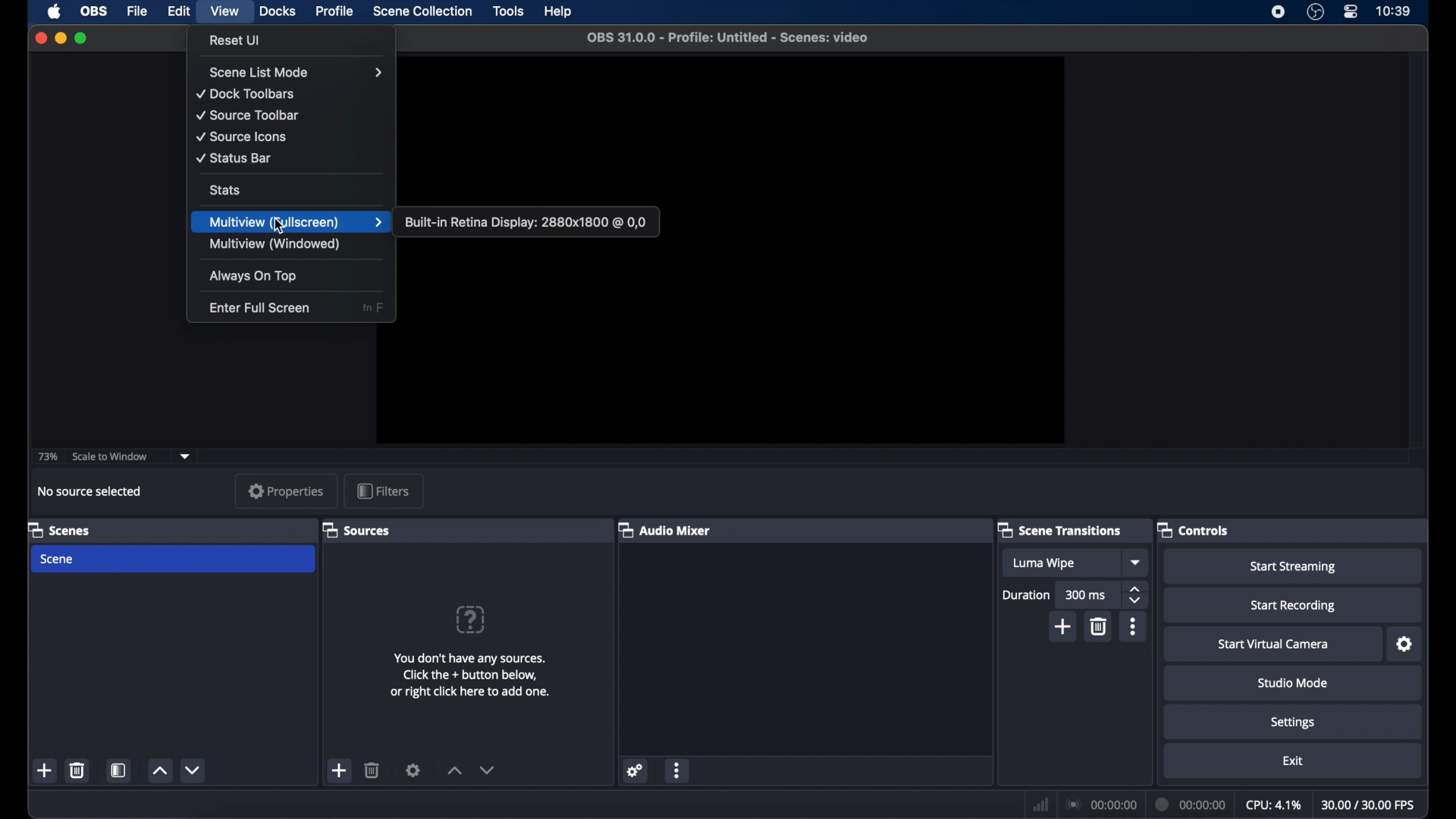 The height and width of the screenshot is (819, 1456). Describe the element at coordinates (185, 455) in the screenshot. I see `dropdown` at that location.